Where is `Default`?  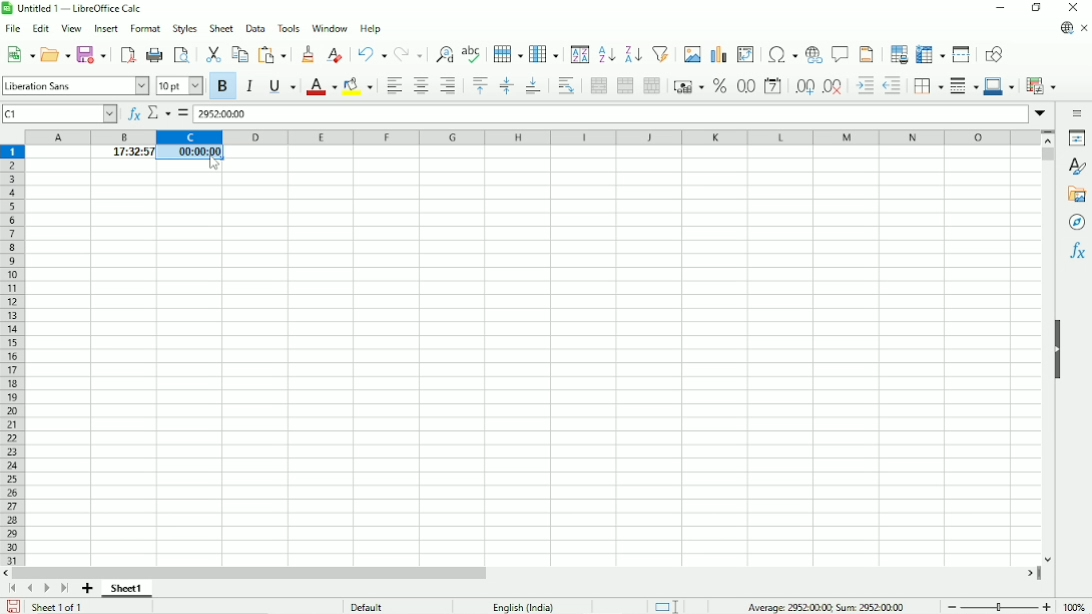
Default is located at coordinates (371, 605).